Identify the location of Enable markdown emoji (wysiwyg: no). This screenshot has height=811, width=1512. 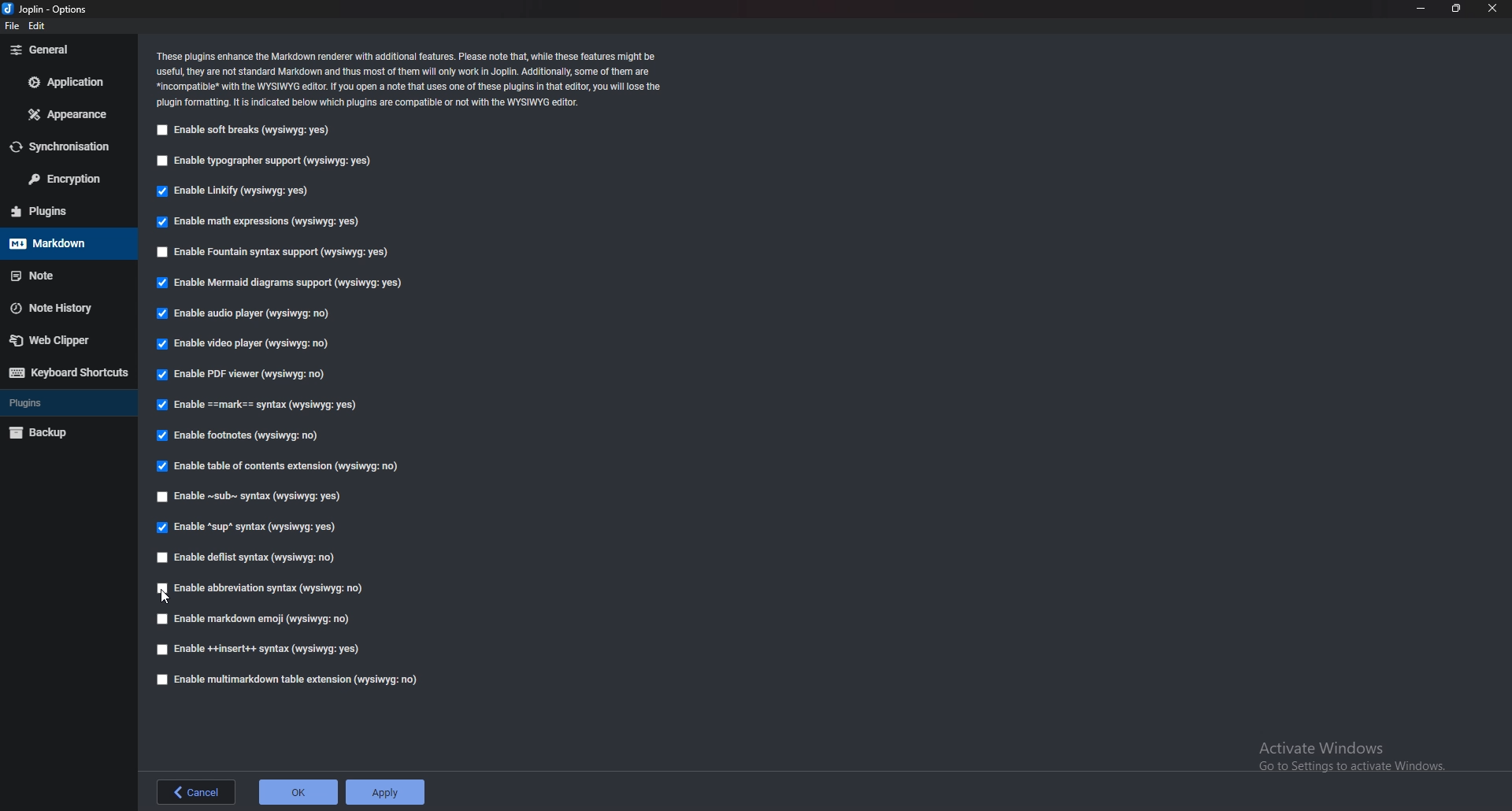
(258, 618).